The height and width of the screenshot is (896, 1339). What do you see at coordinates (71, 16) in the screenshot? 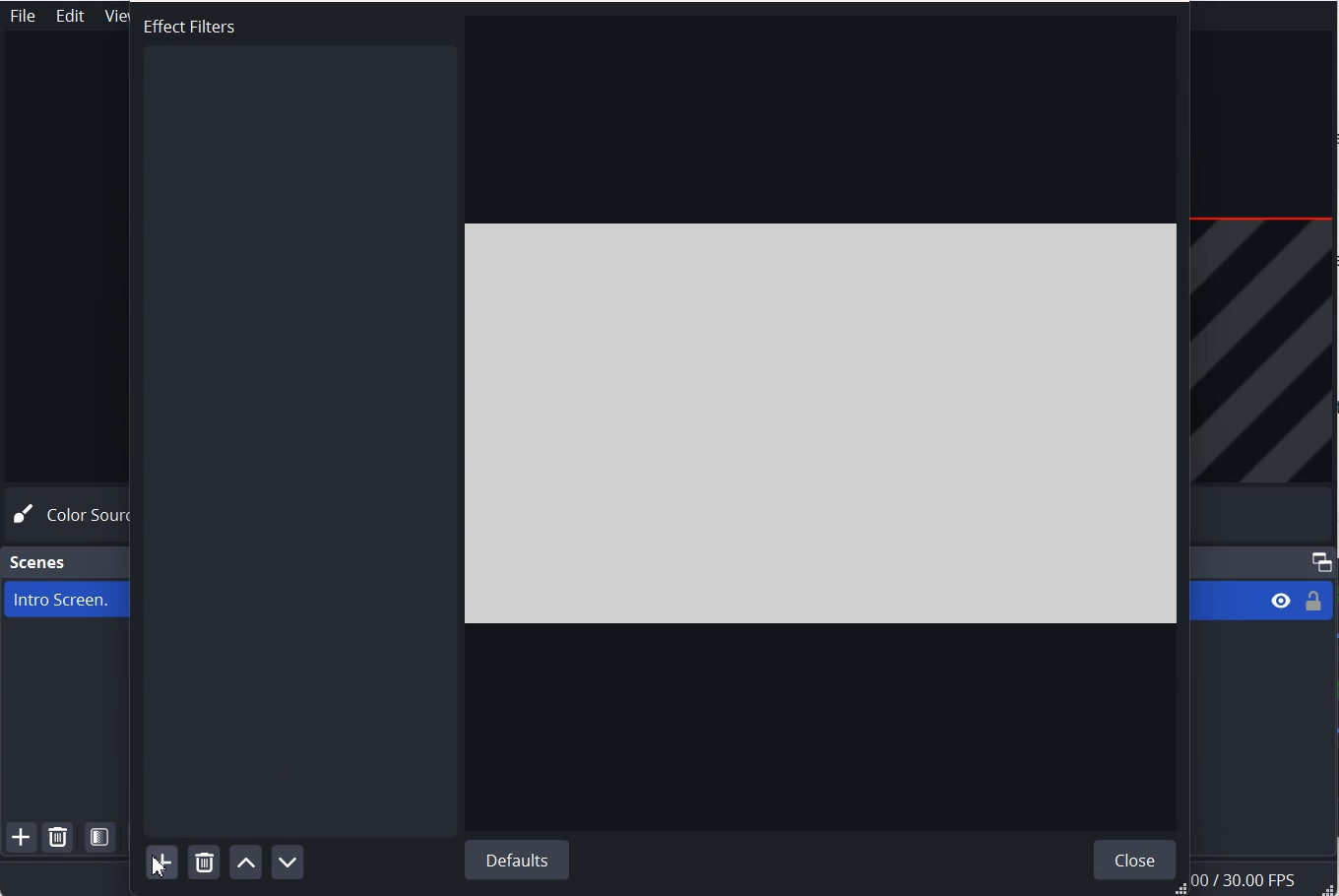
I see `Edit` at bounding box center [71, 16].